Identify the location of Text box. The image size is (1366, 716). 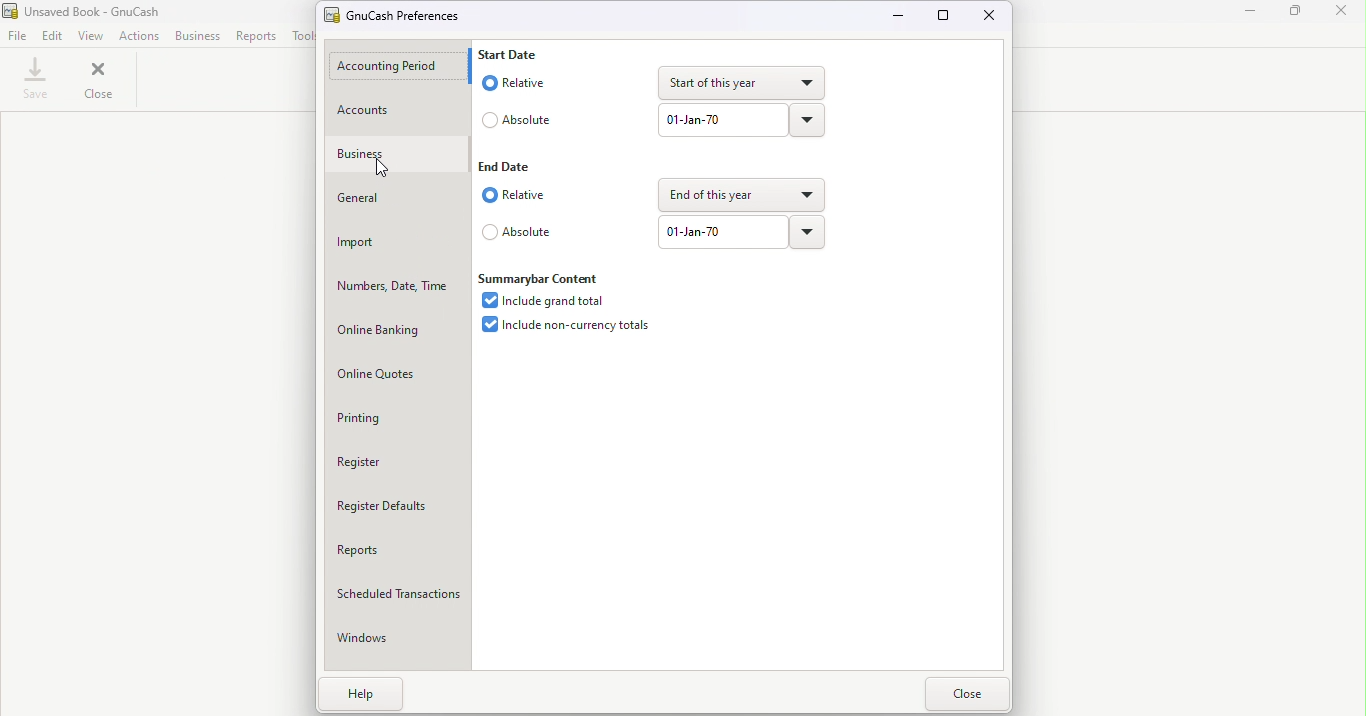
(722, 121).